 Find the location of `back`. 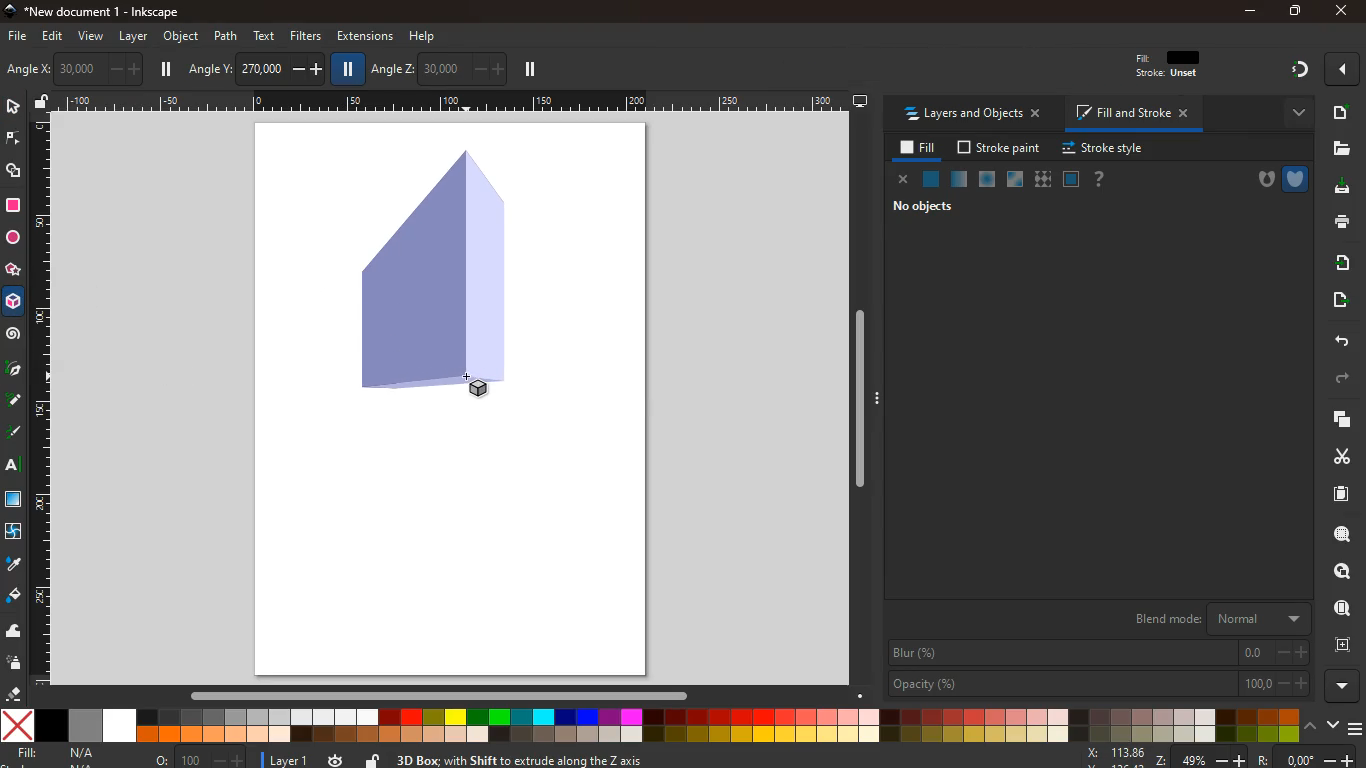

back is located at coordinates (1340, 340).